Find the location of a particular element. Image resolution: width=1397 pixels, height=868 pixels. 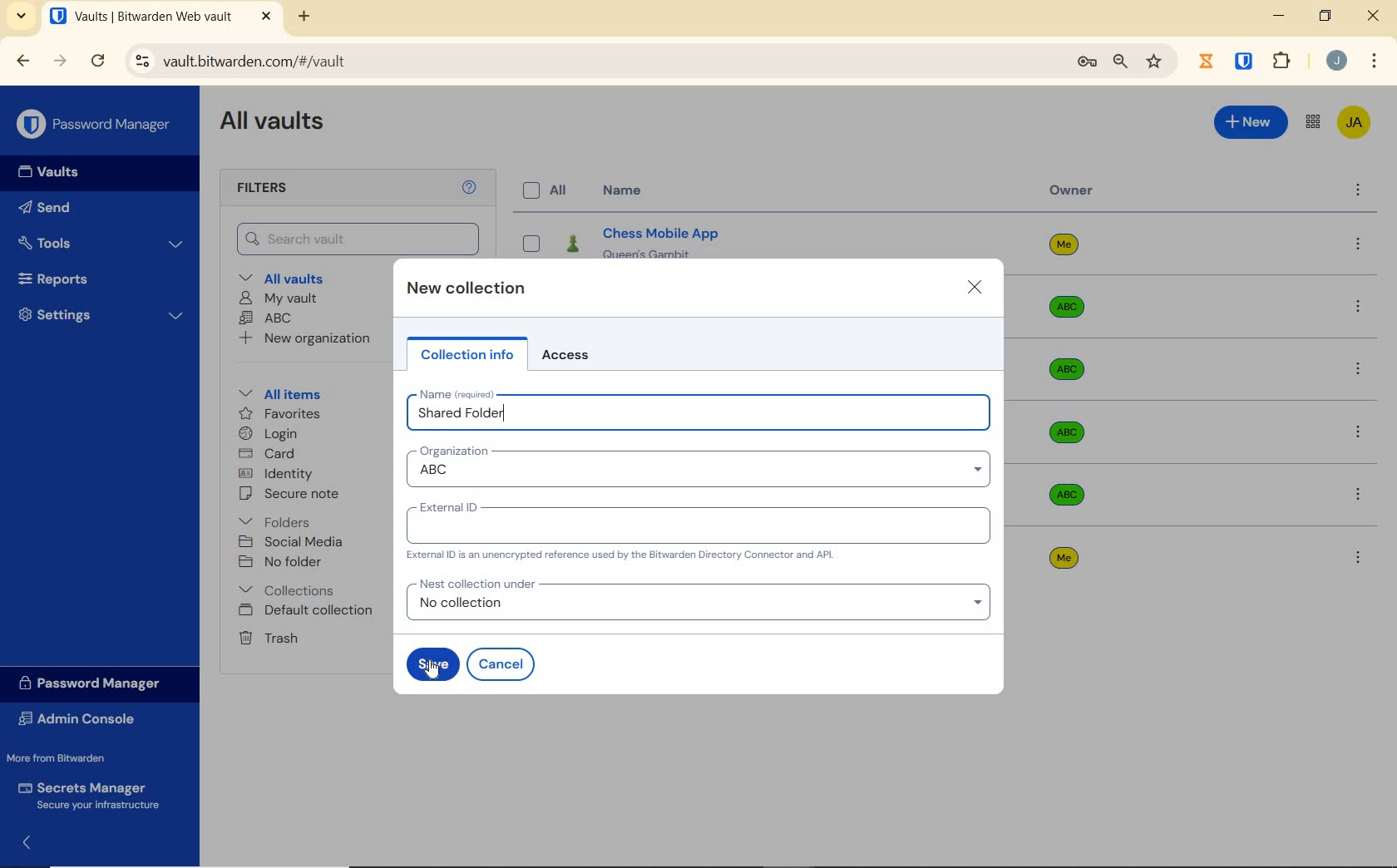

ABC is located at coordinates (269, 318).